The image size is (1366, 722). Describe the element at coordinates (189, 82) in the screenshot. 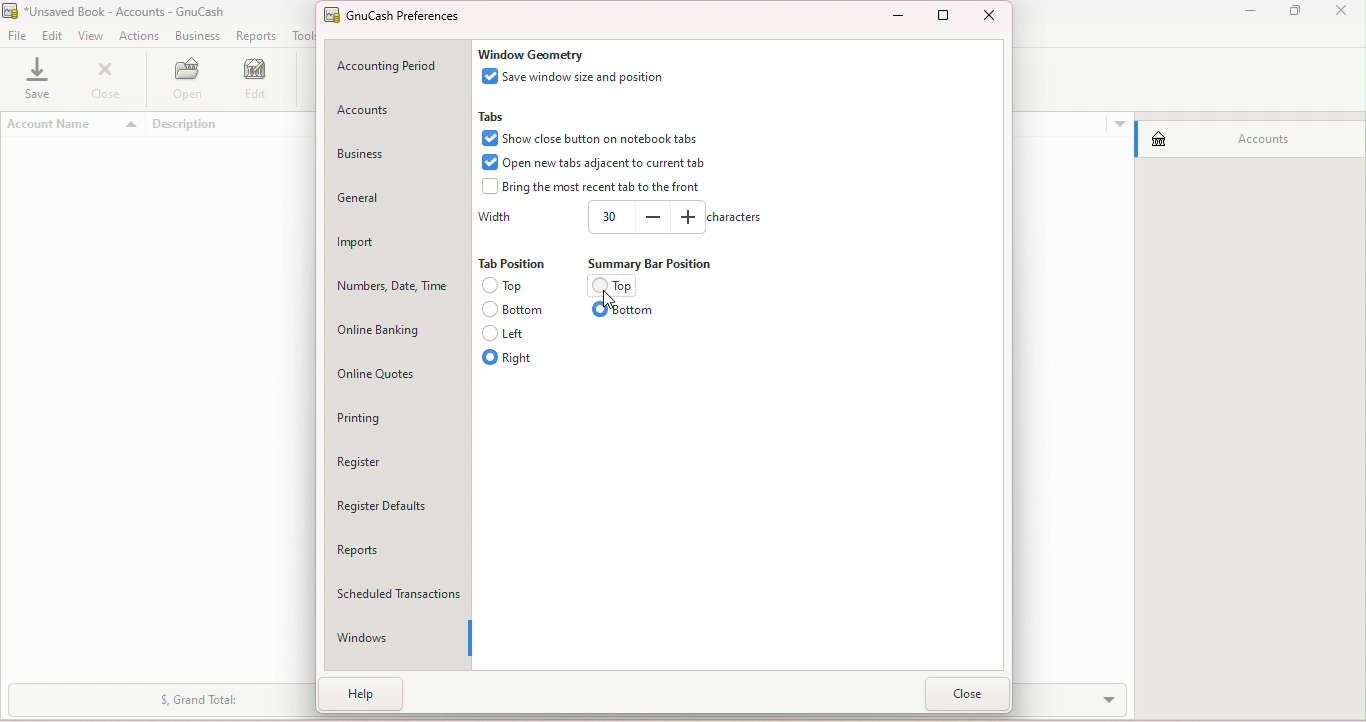

I see `Open` at that location.